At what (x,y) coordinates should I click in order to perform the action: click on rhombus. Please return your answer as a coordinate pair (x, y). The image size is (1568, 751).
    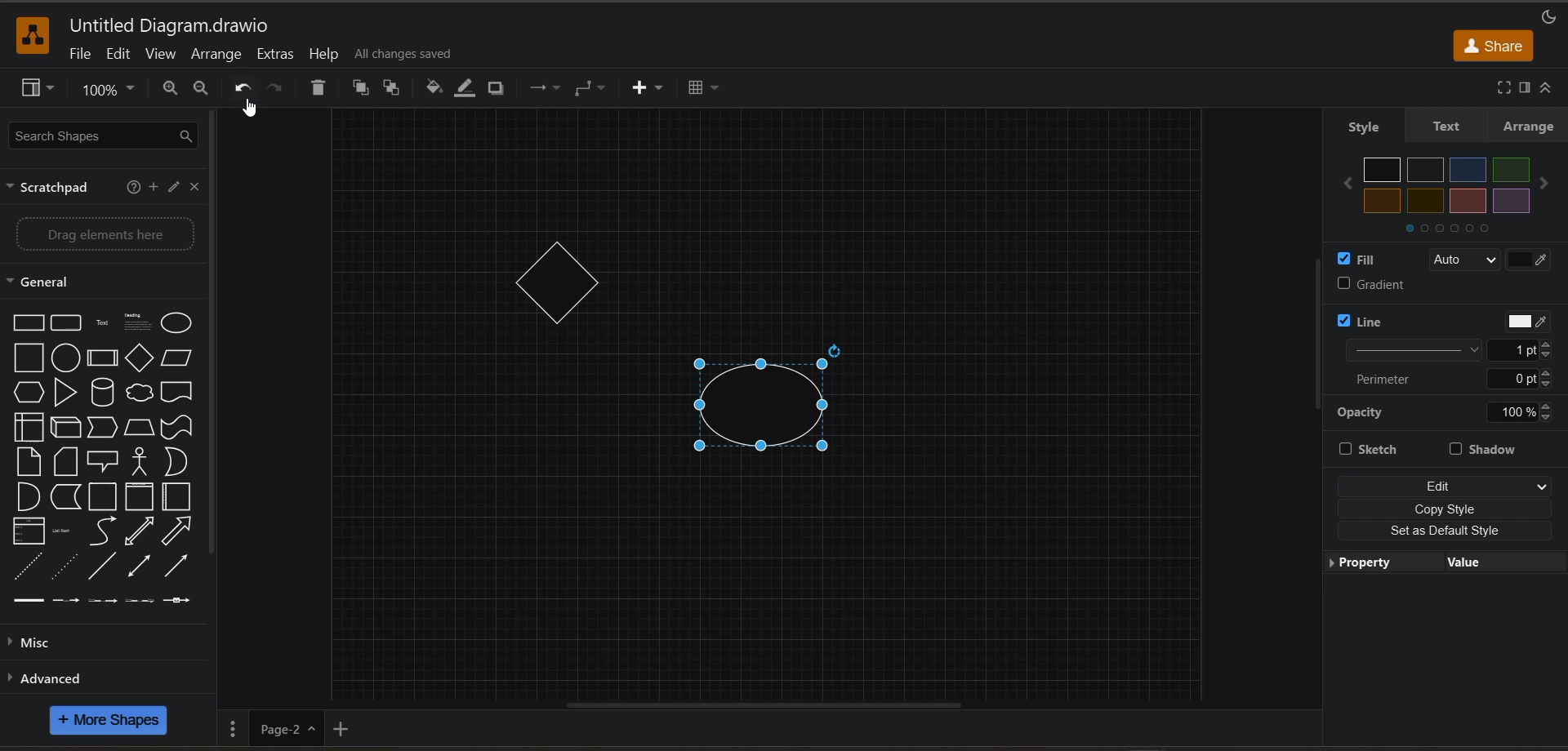
    Looking at the image, I should click on (553, 284).